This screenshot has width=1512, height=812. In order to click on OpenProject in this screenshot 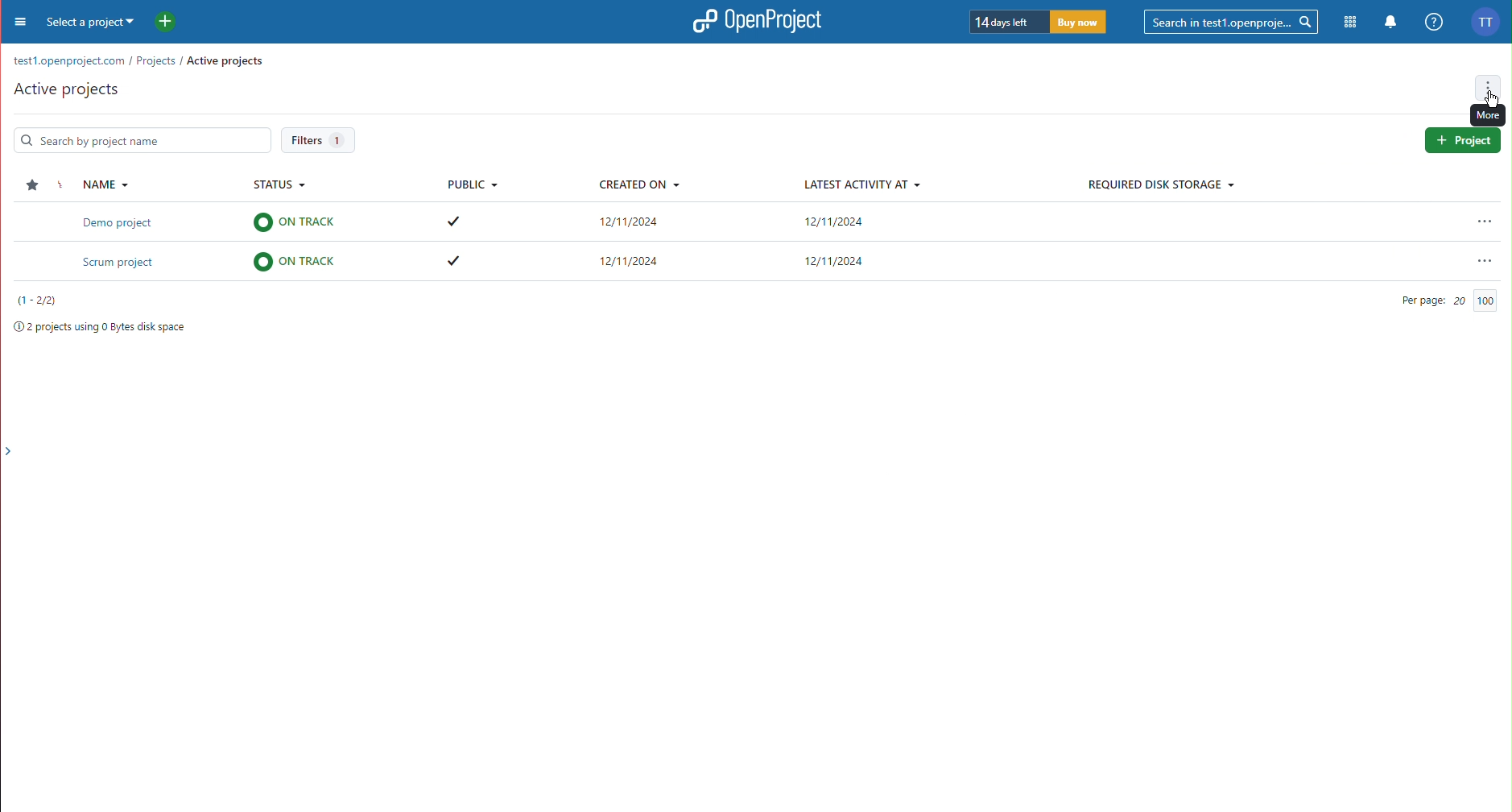, I will do `click(756, 20)`.